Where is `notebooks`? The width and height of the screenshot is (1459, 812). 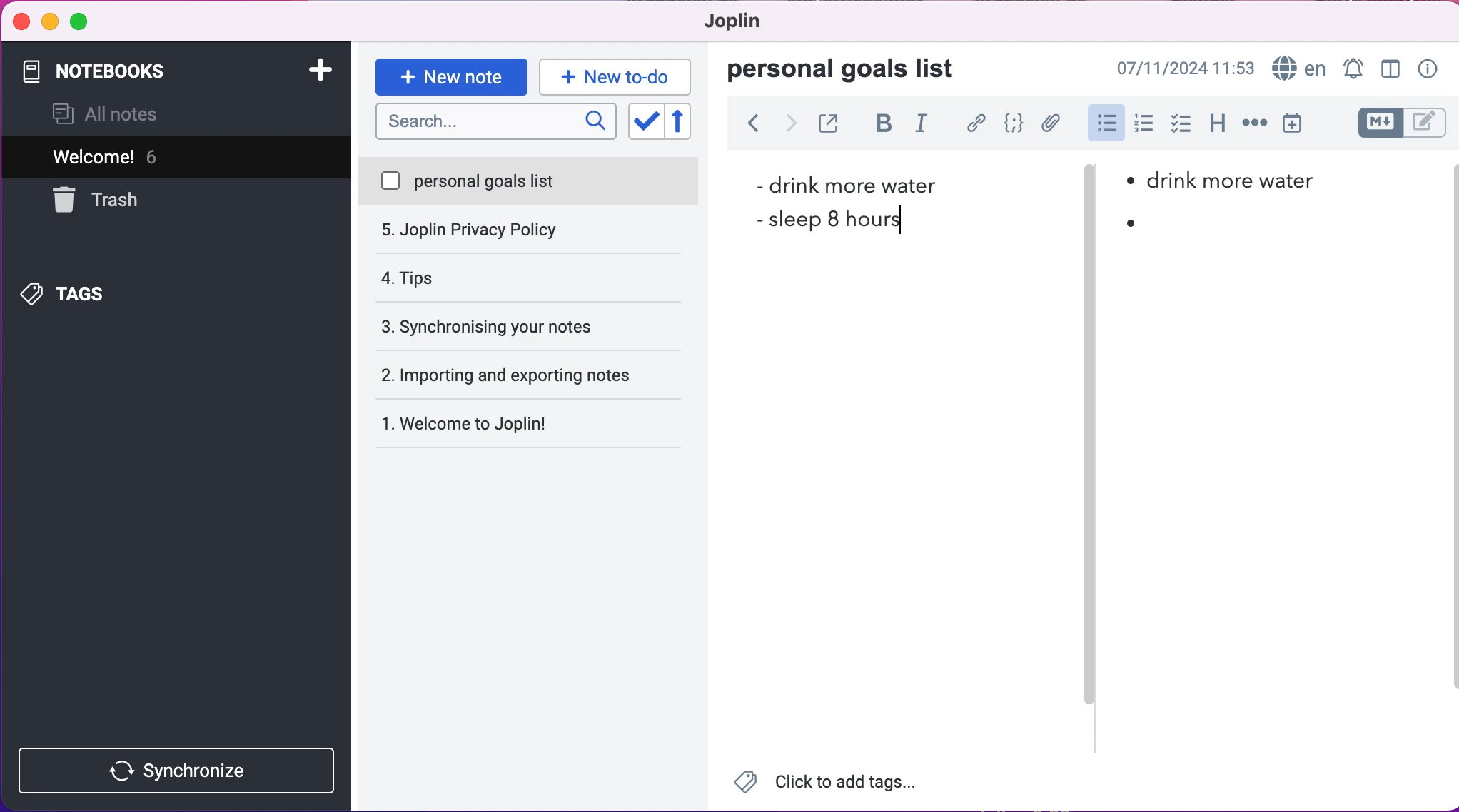
notebooks is located at coordinates (141, 71).